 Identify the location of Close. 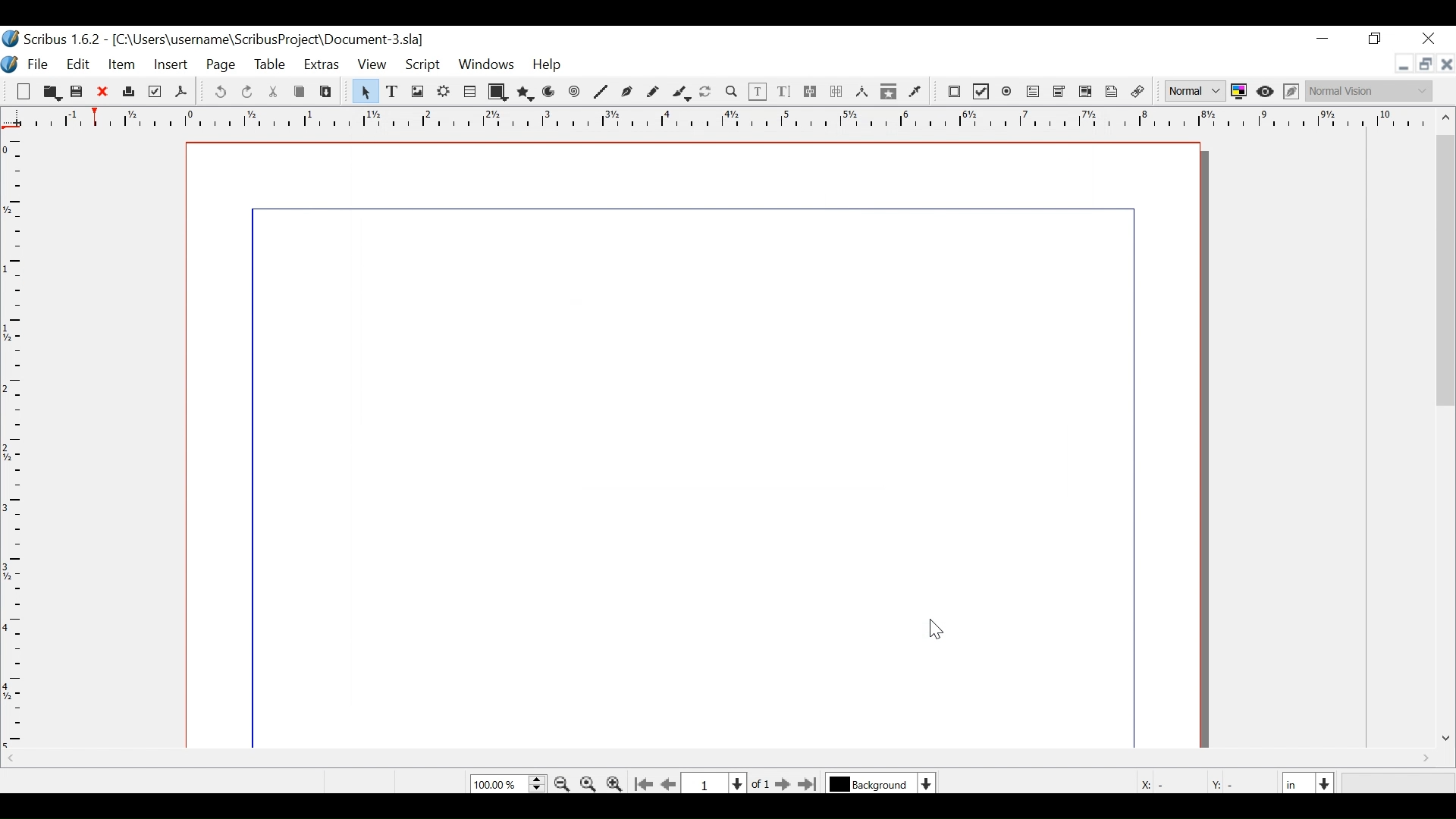
(1434, 39).